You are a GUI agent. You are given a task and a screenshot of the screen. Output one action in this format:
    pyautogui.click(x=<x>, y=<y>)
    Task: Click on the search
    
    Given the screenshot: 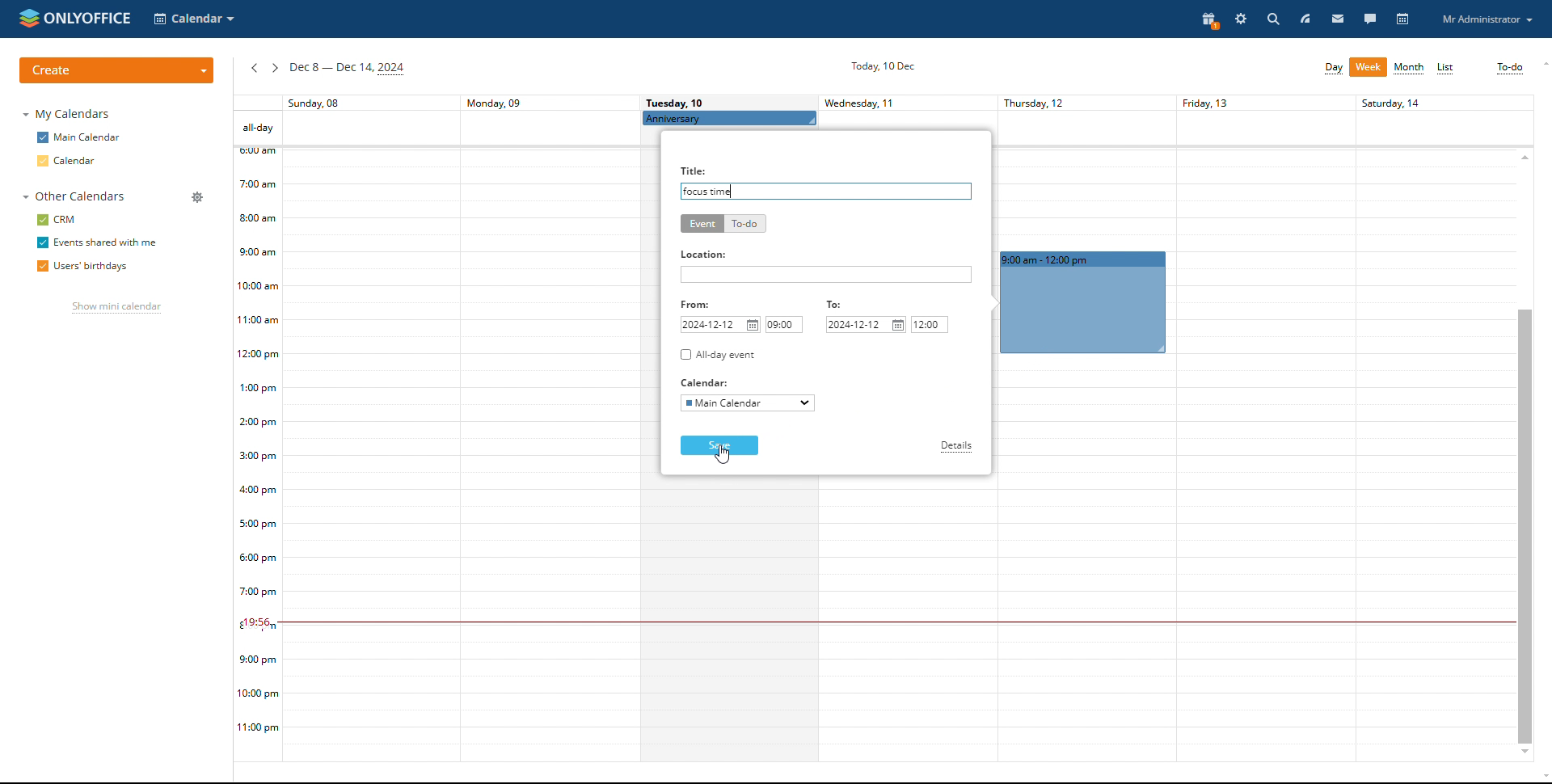 What is the action you would take?
    pyautogui.click(x=1272, y=19)
    